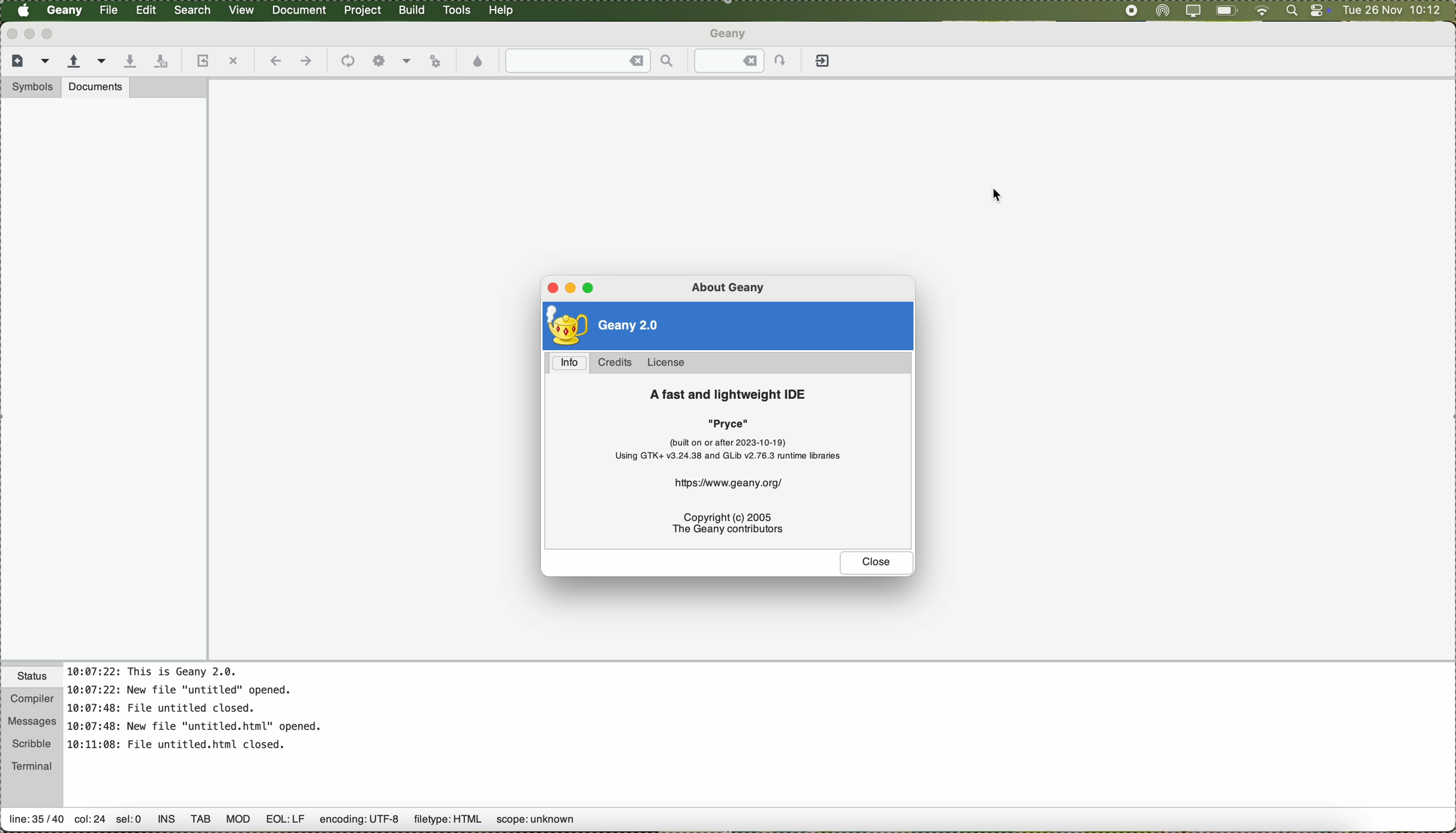  What do you see at coordinates (204, 61) in the screenshot?
I see `reload the current file from disk` at bounding box center [204, 61].